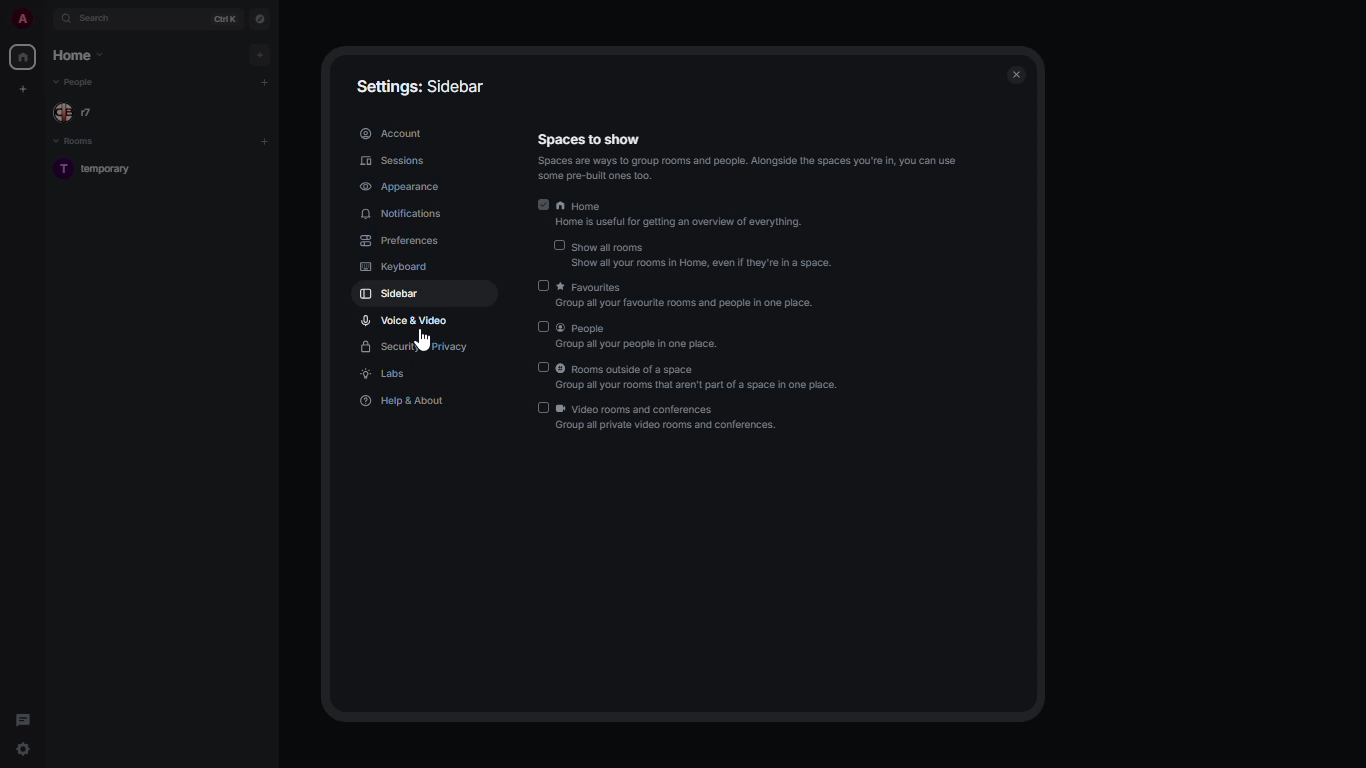 Image resolution: width=1366 pixels, height=768 pixels. What do you see at coordinates (21, 18) in the screenshot?
I see `profile` at bounding box center [21, 18].